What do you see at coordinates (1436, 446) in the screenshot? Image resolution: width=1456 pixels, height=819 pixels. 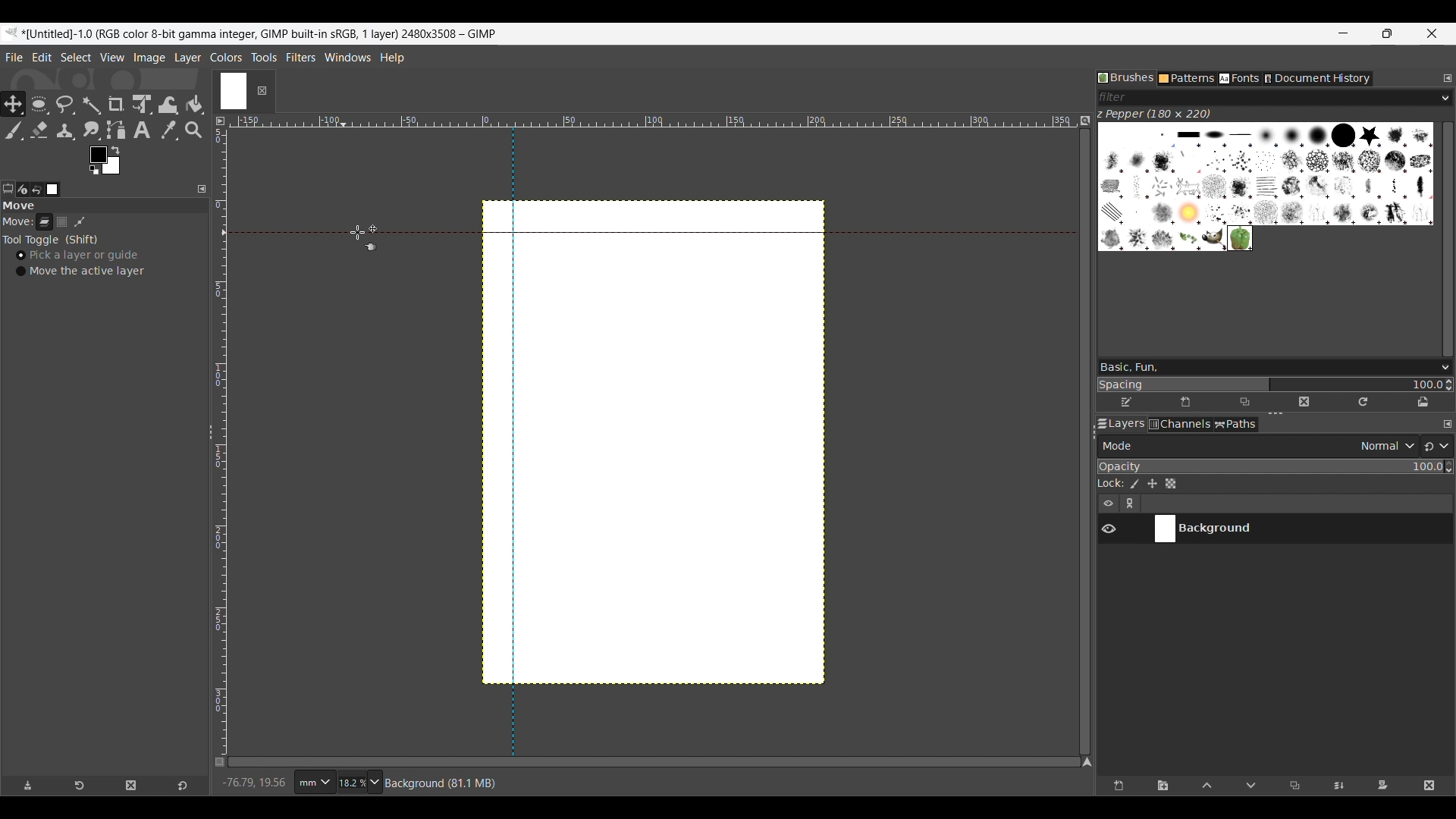 I see `Switch to another group of modes` at bounding box center [1436, 446].